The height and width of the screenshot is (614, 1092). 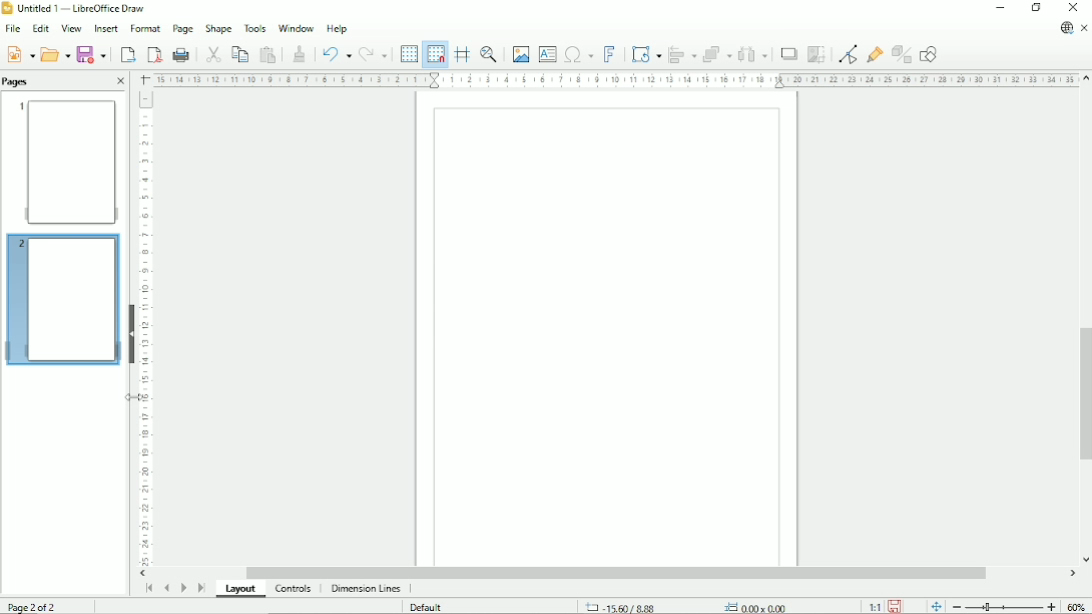 I want to click on Paste, so click(x=268, y=54).